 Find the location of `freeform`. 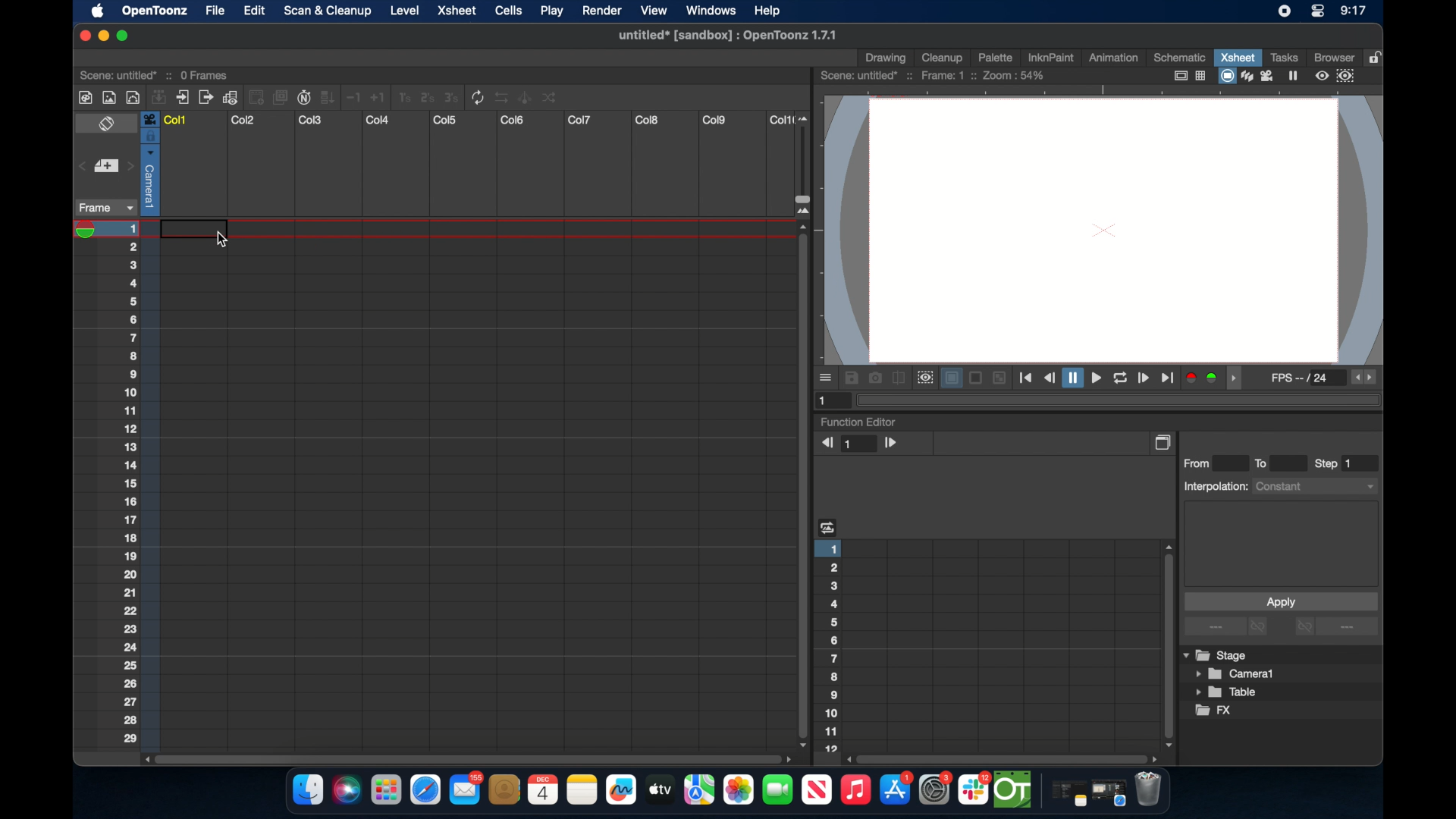

freeform is located at coordinates (622, 790).